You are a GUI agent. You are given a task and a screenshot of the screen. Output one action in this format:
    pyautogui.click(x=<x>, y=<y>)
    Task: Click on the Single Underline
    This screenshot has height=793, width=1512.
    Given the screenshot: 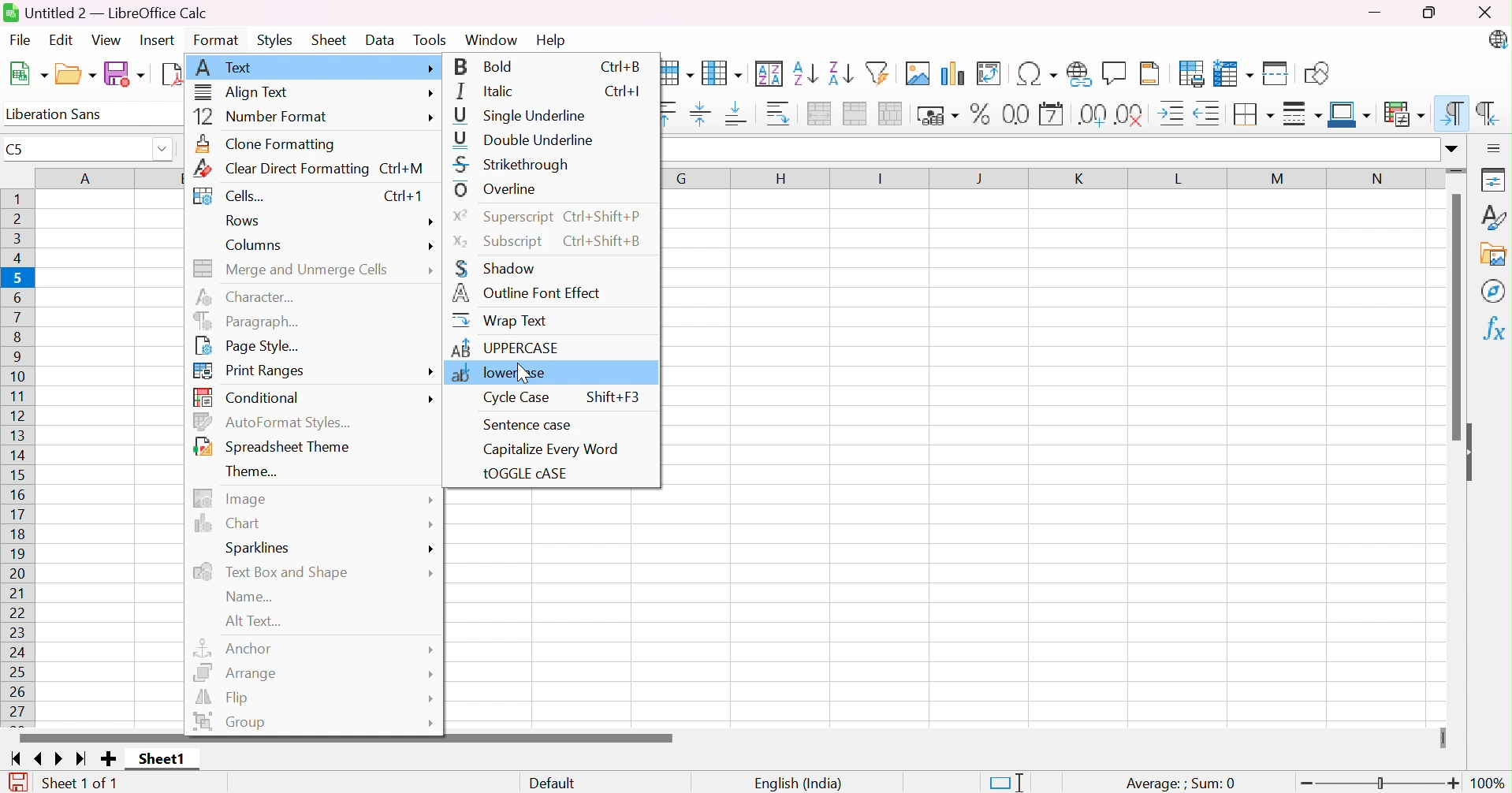 What is the action you would take?
    pyautogui.click(x=523, y=116)
    